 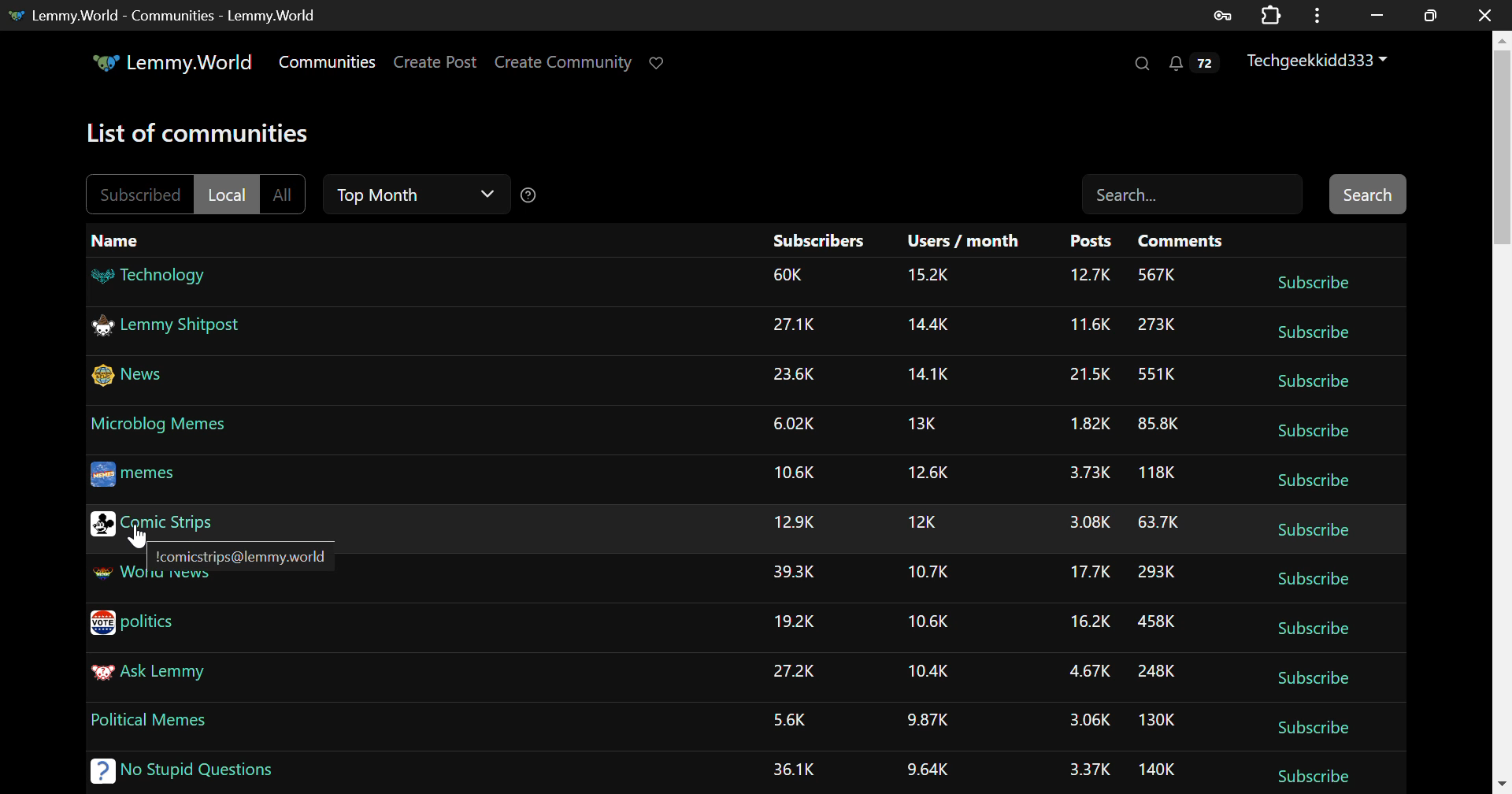 What do you see at coordinates (792, 273) in the screenshot?
I see `Amount` at bounding box center [792, 273].